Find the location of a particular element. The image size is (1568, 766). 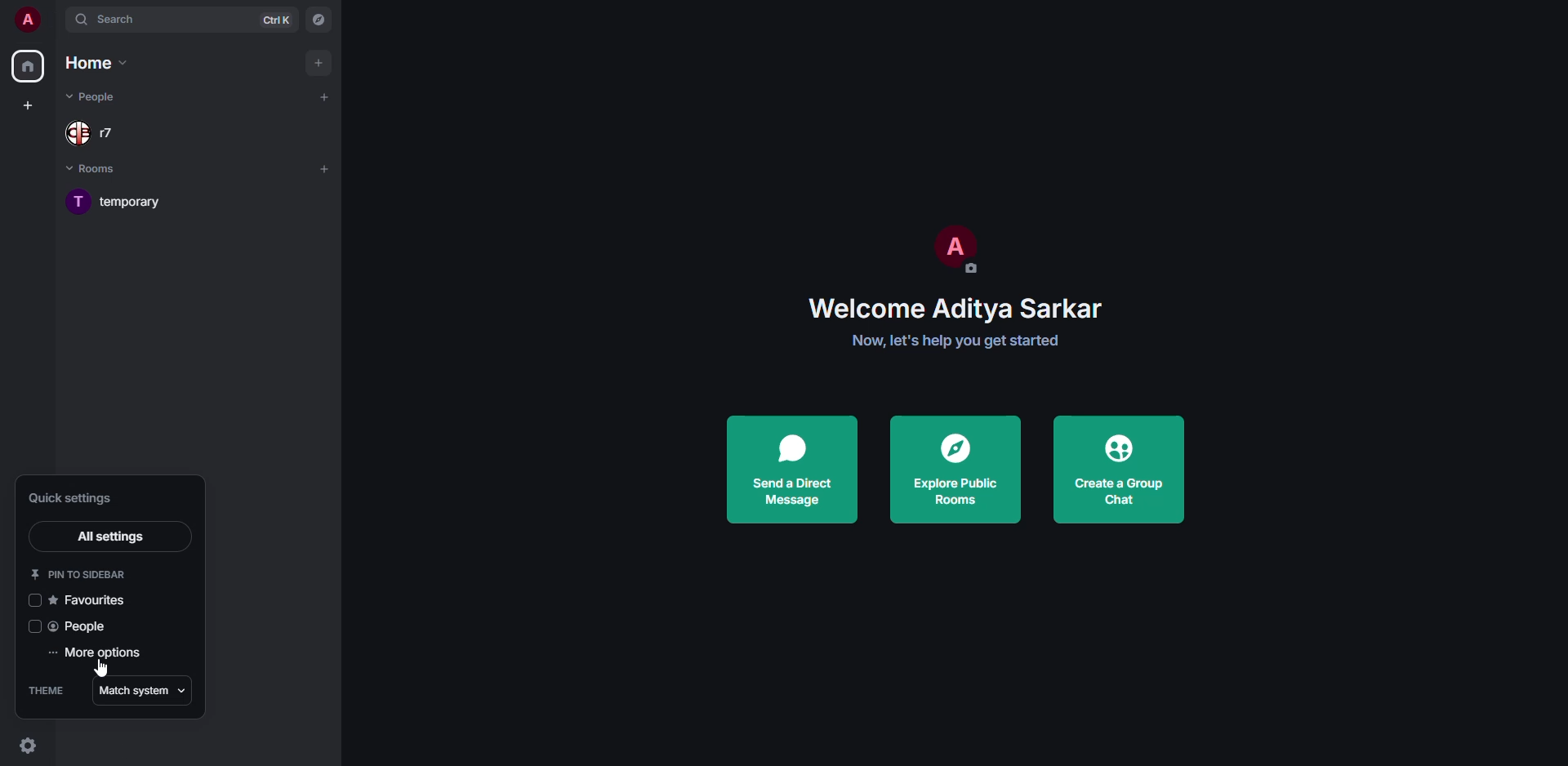

explore public rooms is located at coordinates (957, 469).